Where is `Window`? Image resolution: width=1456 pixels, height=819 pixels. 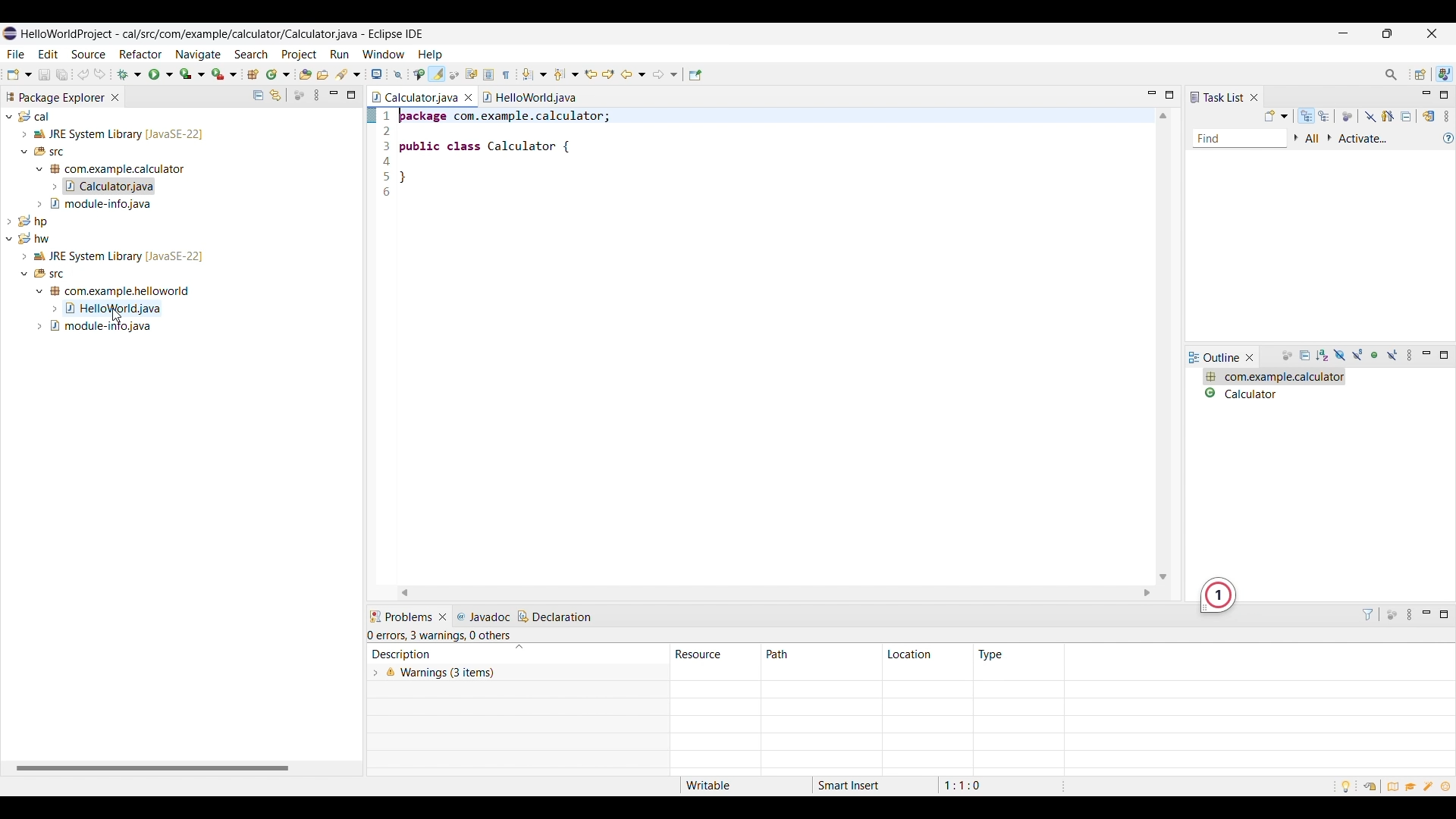
Window is located at coordinates (384, 54).